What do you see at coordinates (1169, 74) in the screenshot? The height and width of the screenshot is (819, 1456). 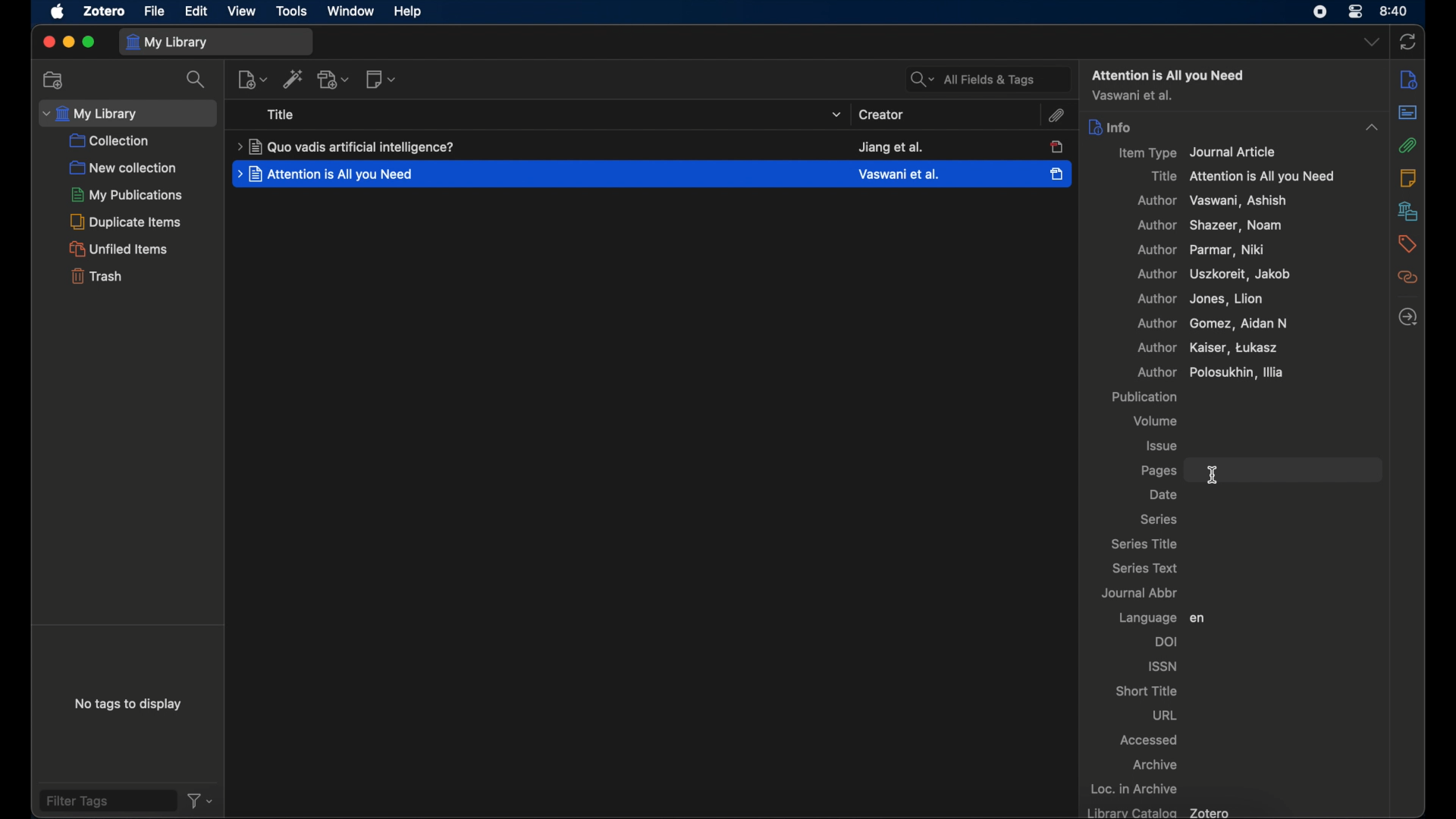 I see `attention all you need` at bounding box center [1169, 74].